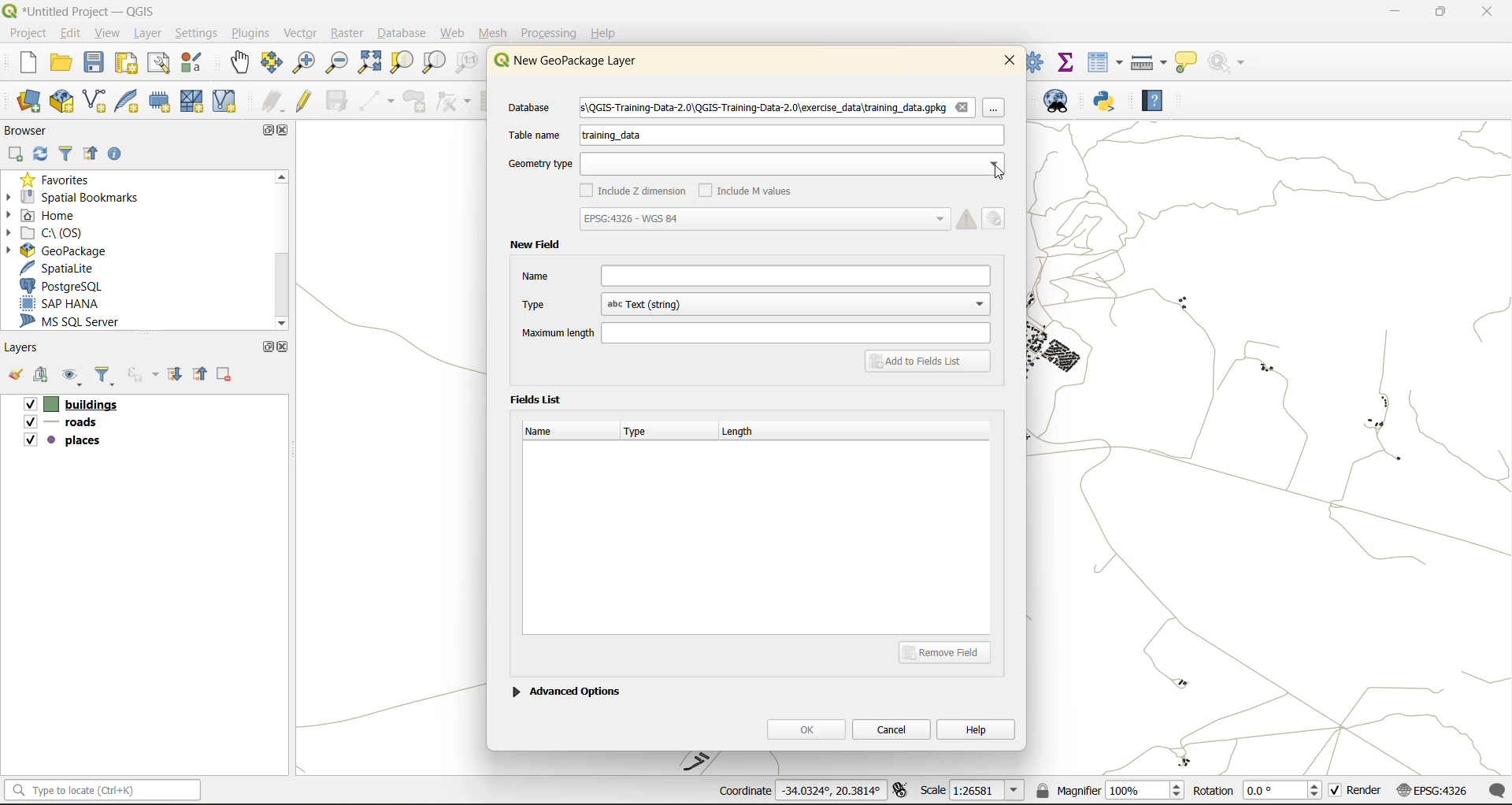 The image size is (1512, 805). What do you see at coordinates (1479, 13) in the screenshot?
I see `close` at bounding box center [1479, 13].